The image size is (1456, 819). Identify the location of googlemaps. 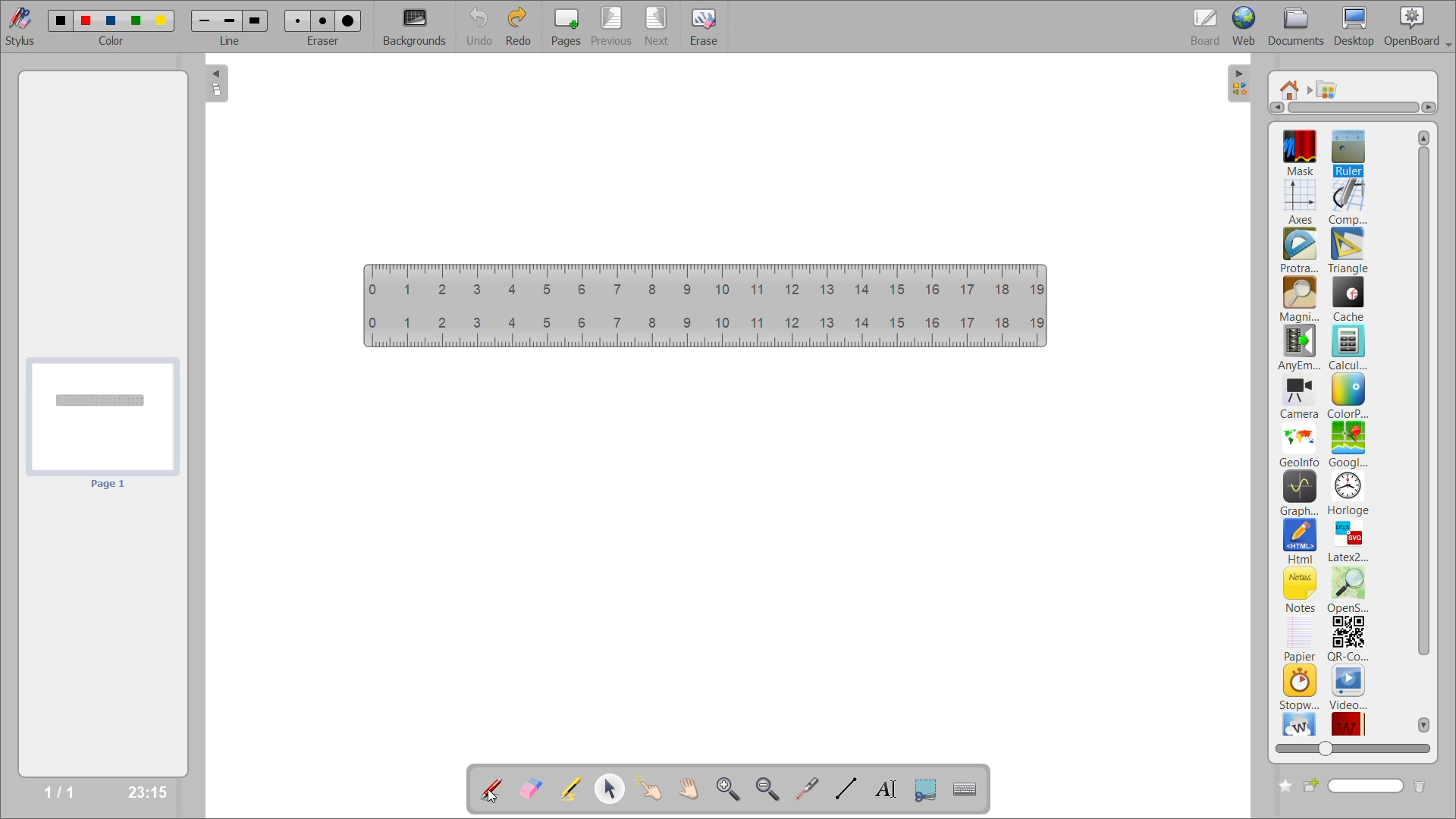
(1347, 444).